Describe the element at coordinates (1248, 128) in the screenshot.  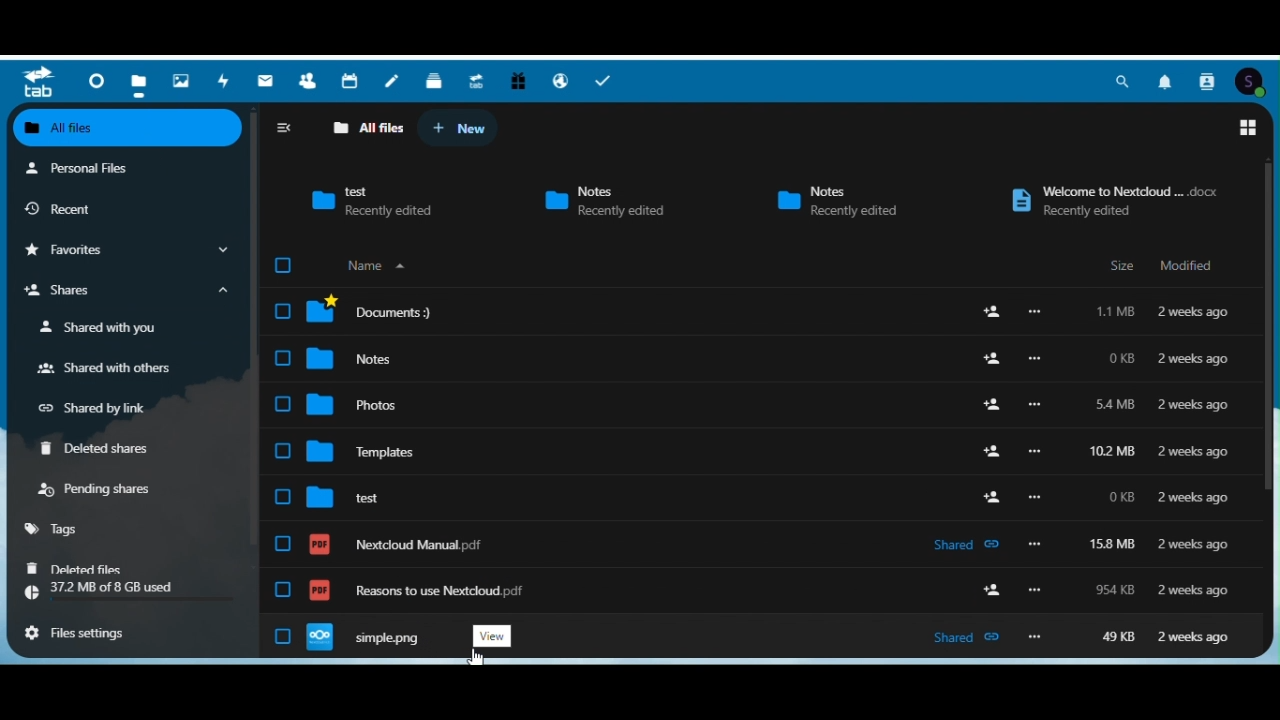
I see `G r i d view` at that location.